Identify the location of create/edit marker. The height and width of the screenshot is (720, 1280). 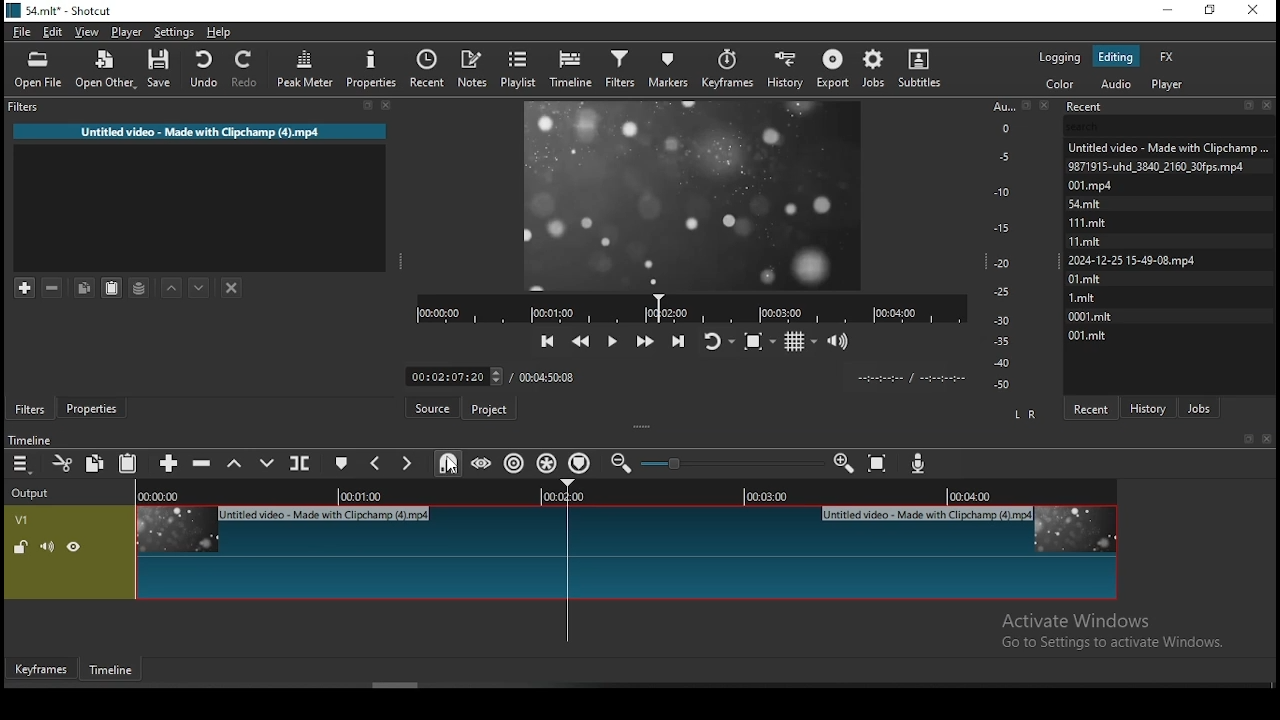
(338, 463).